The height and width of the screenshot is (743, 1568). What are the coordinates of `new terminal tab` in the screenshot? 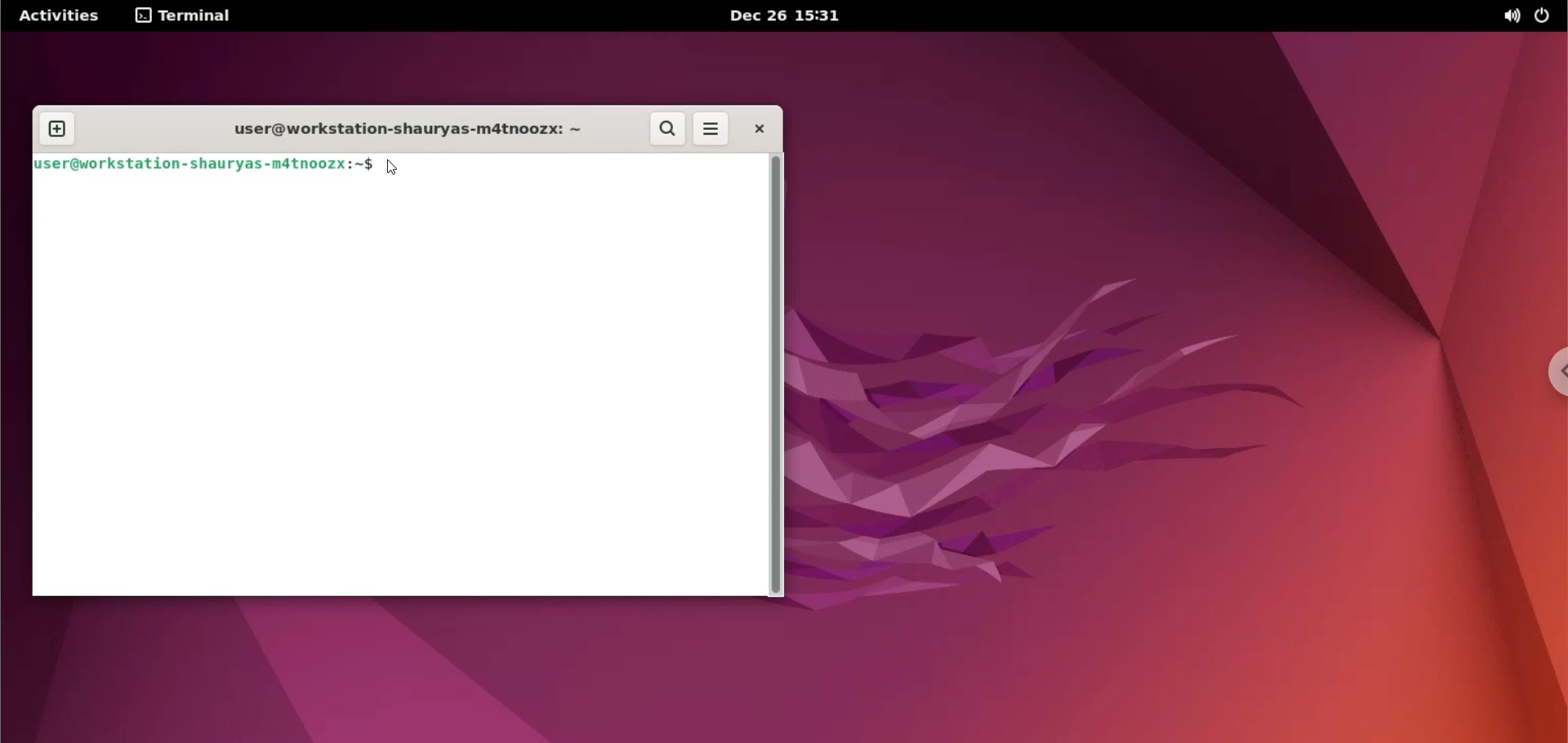 It's located at (60, 122).